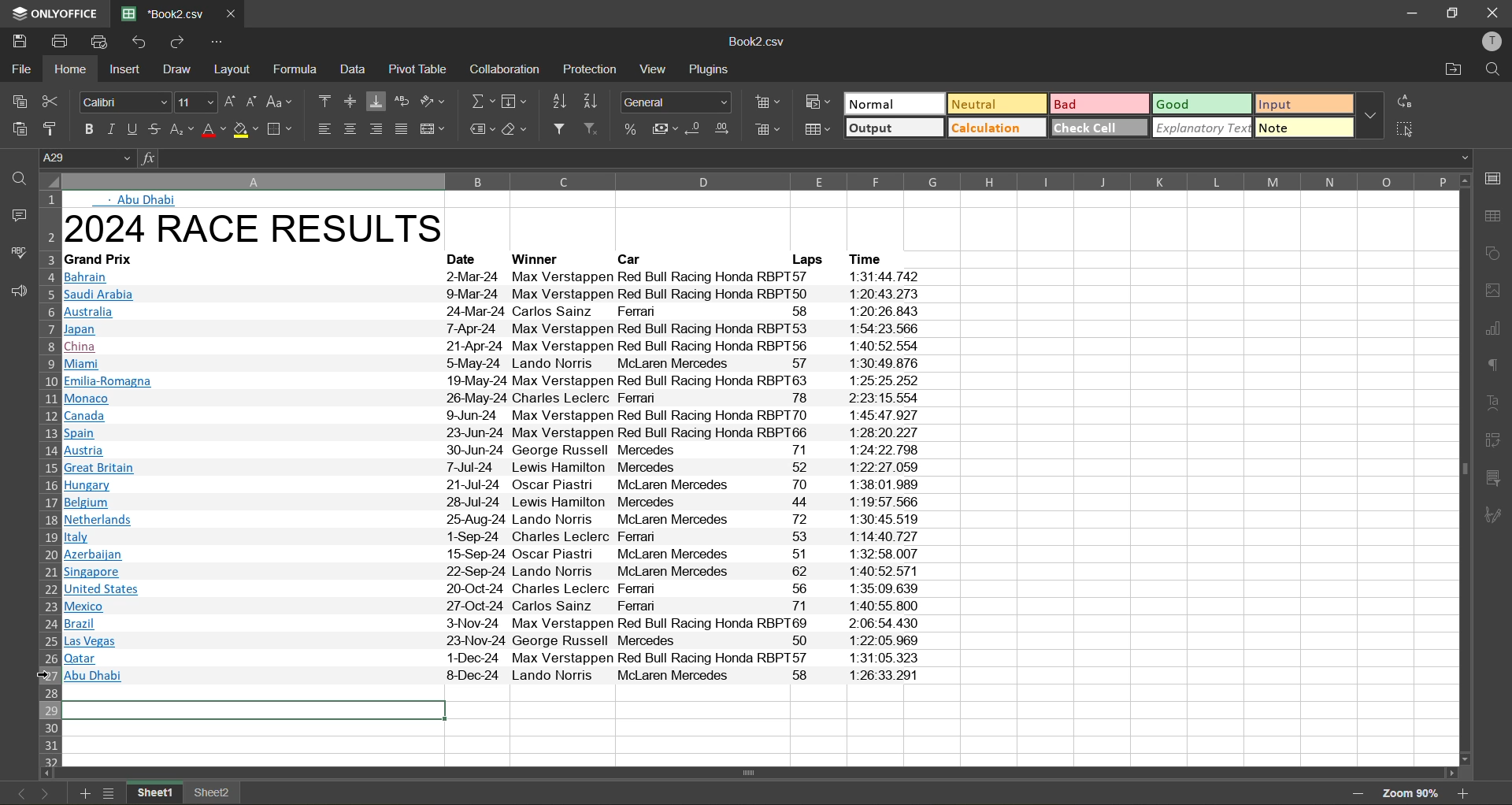 The width and height of the screenshot is (1512, 805). Describe the element at coordinates (183, 792) in the screenshot. I see `sheet names` at that location.